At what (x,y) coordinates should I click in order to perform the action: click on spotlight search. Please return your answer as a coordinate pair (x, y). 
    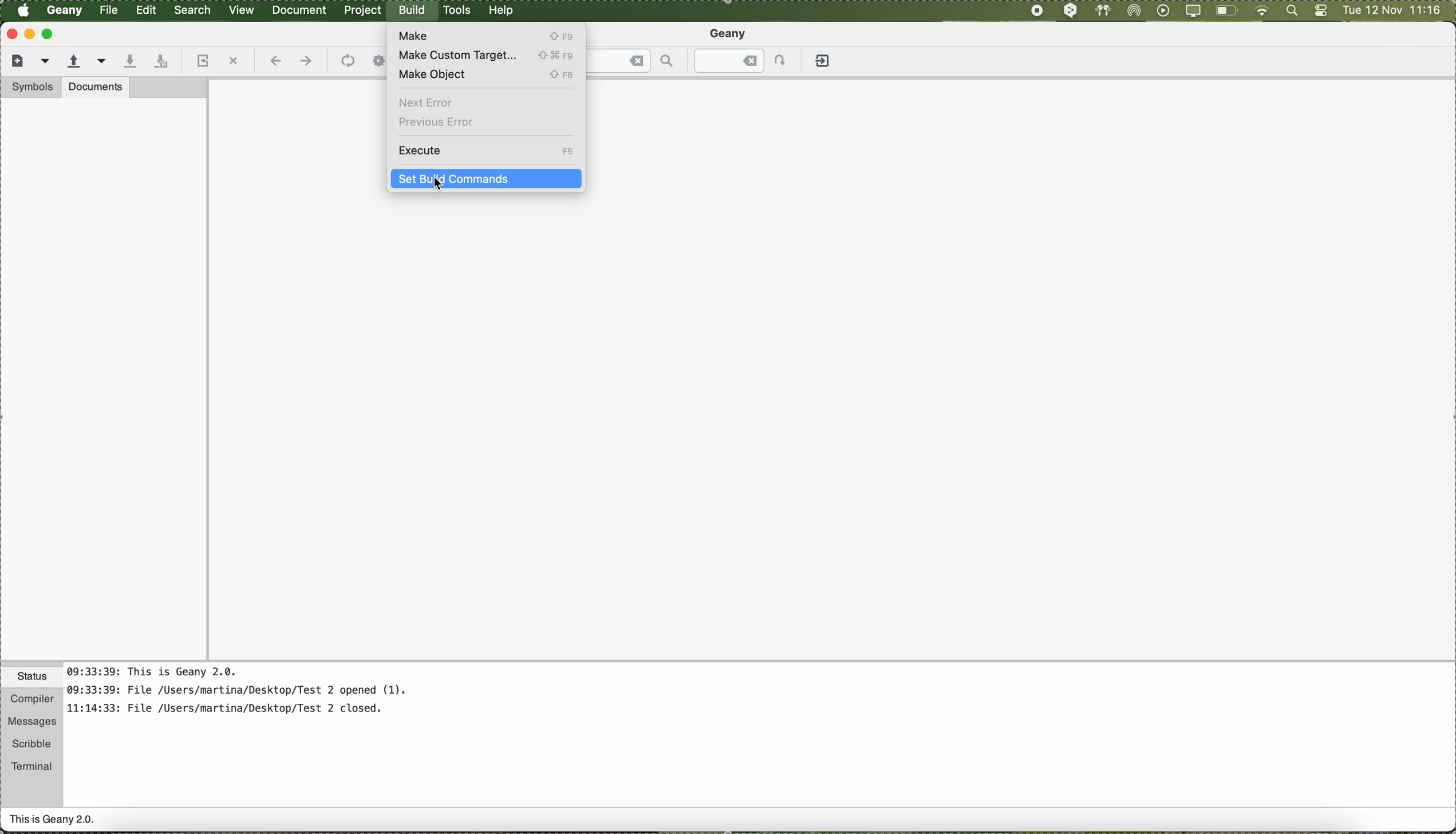
    Looking at the image, I should click on (1289, 11).